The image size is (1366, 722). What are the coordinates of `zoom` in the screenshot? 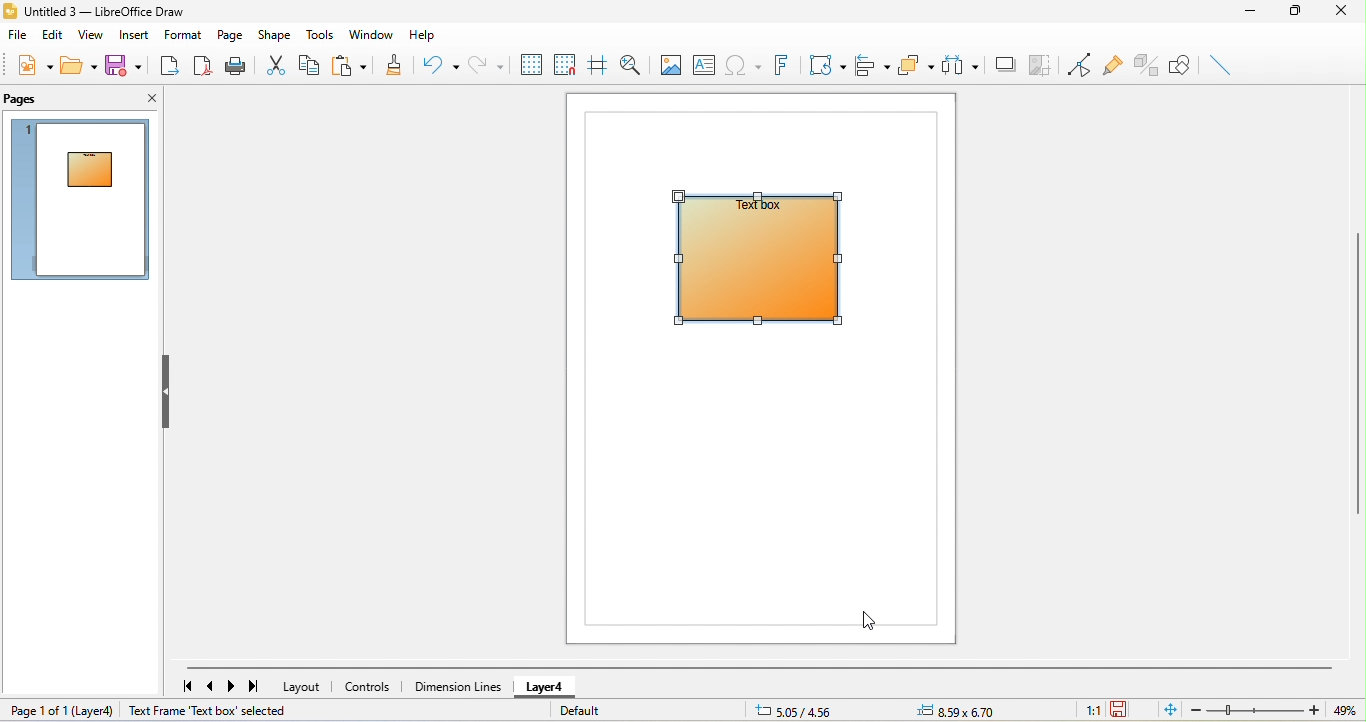 It's located at (1277, 709).